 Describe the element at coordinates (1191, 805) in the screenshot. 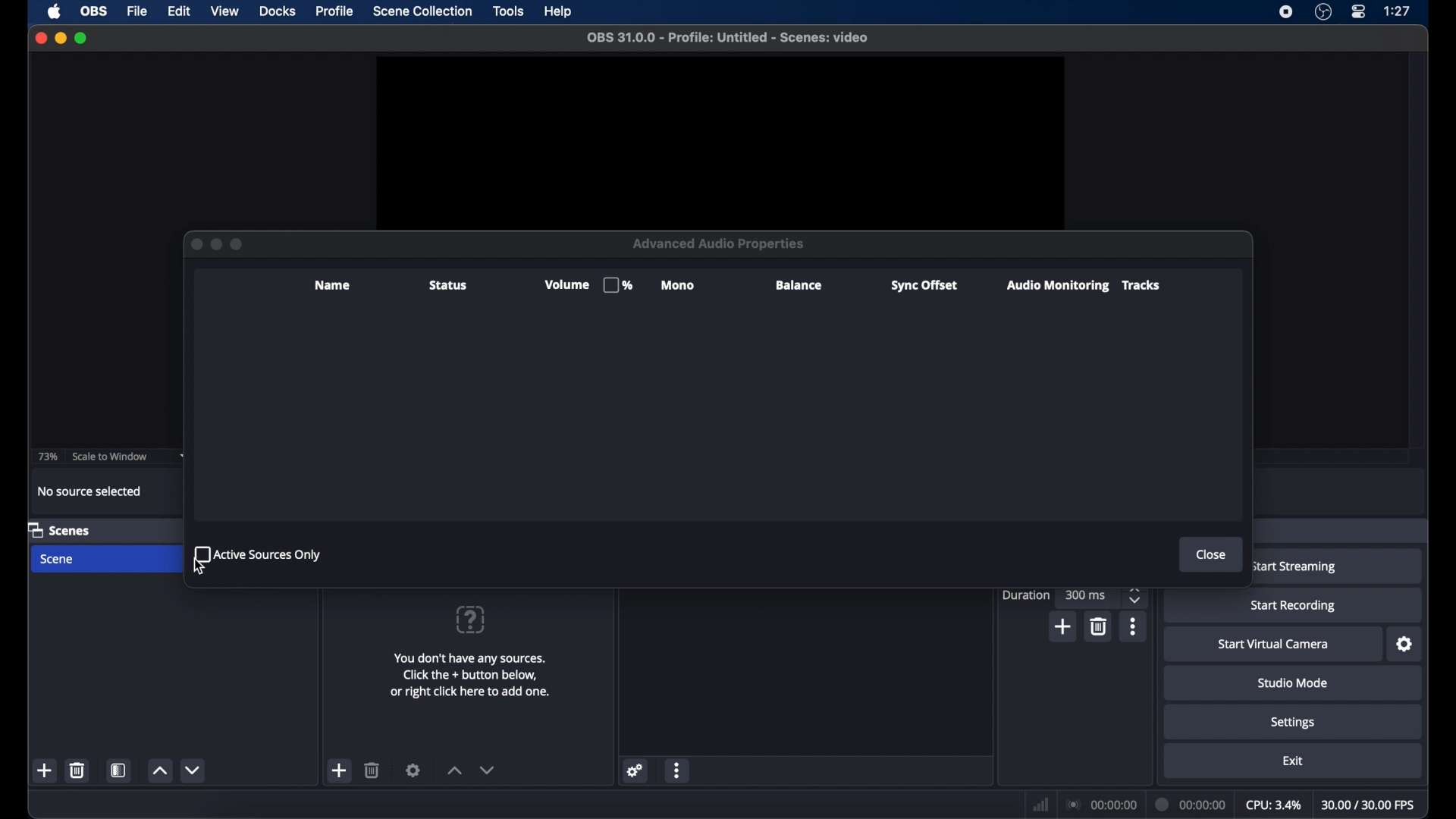

I see `duration` at that location.